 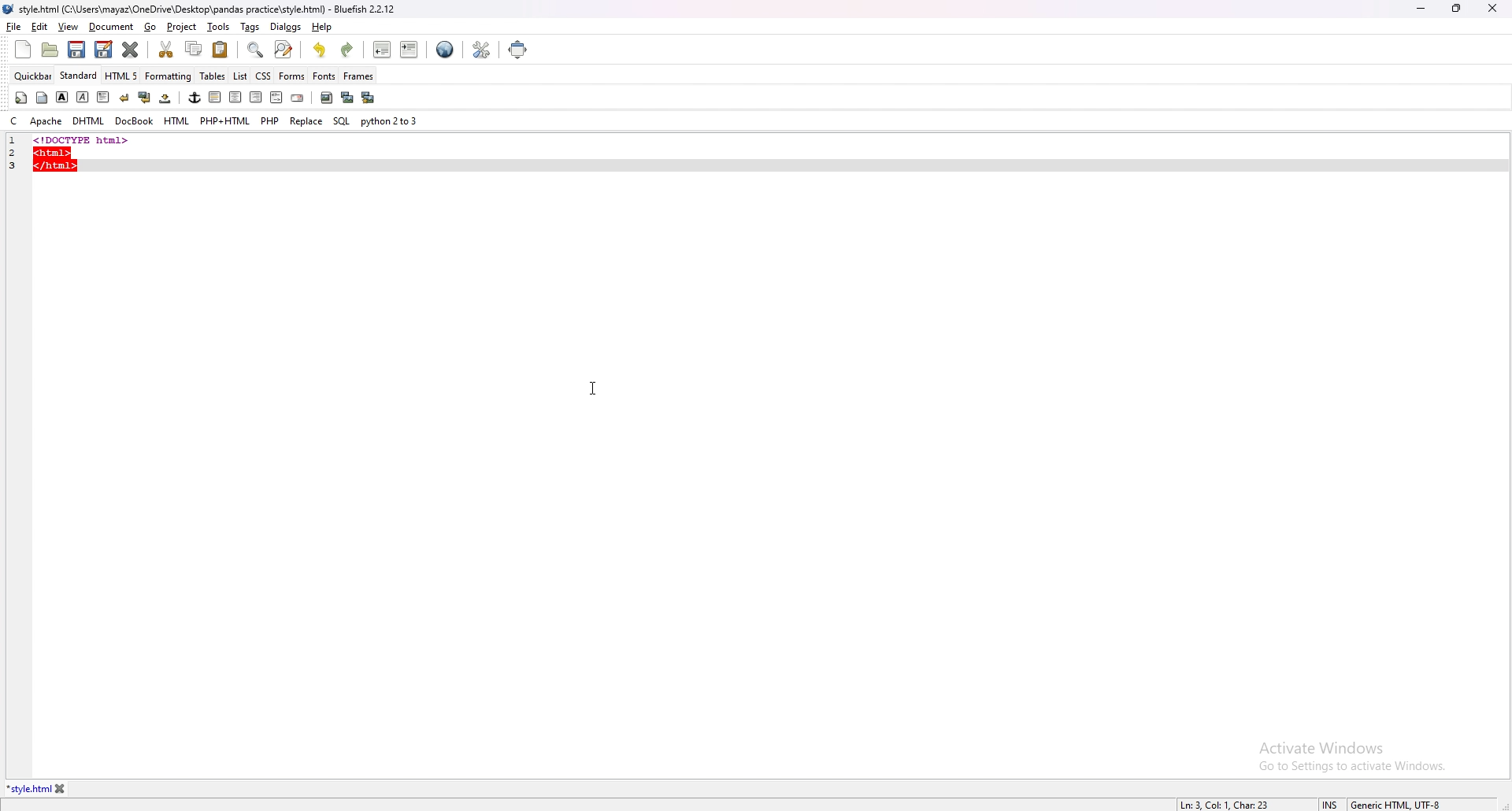 I want to click on center, so click(x=235, y=98).